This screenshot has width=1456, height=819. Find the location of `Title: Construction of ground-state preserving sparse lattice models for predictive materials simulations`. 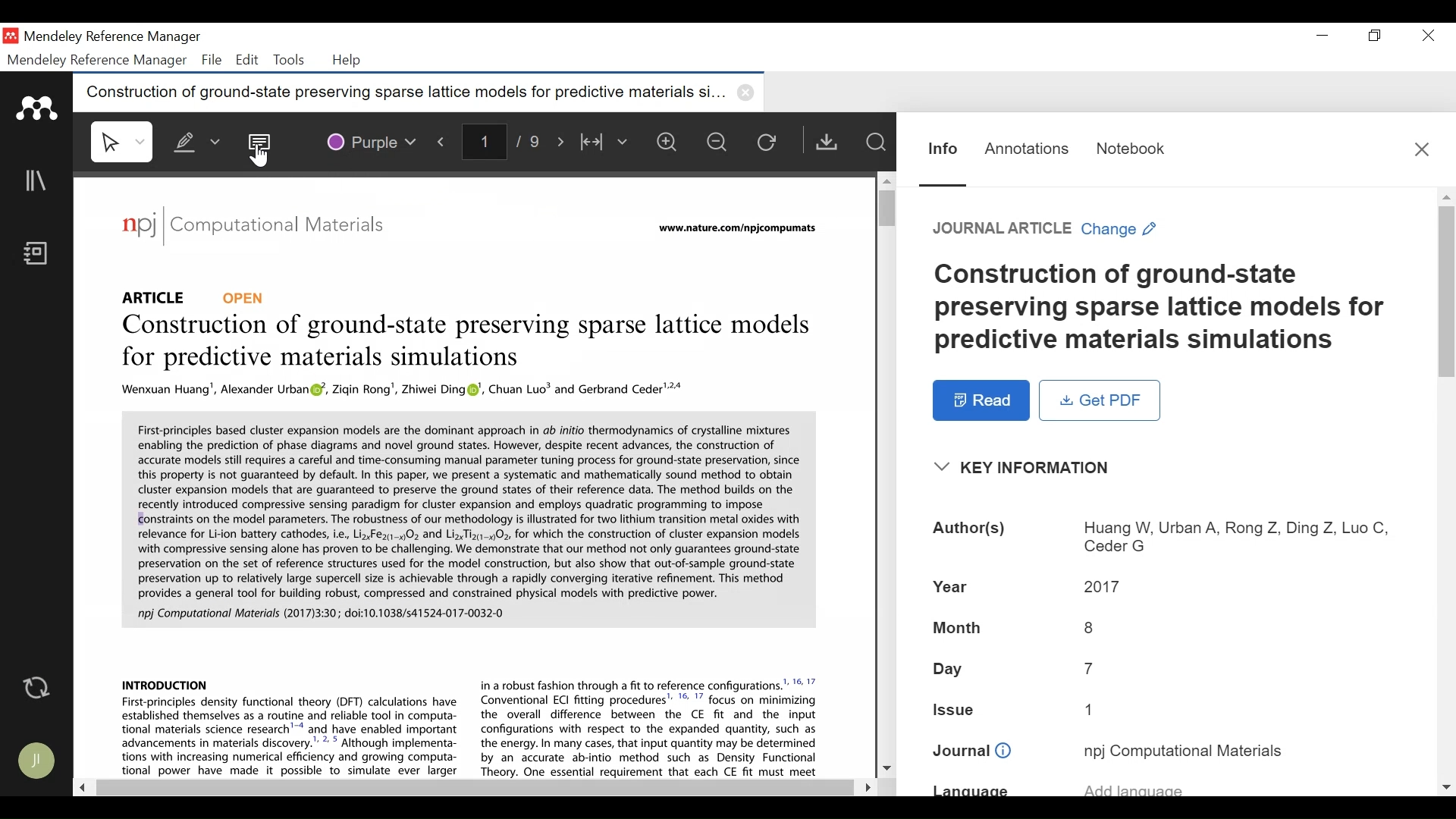

Title: Construction of ground-state preserving sparse lattice models for predictive materials simulations is located at coordinates (462, 343).